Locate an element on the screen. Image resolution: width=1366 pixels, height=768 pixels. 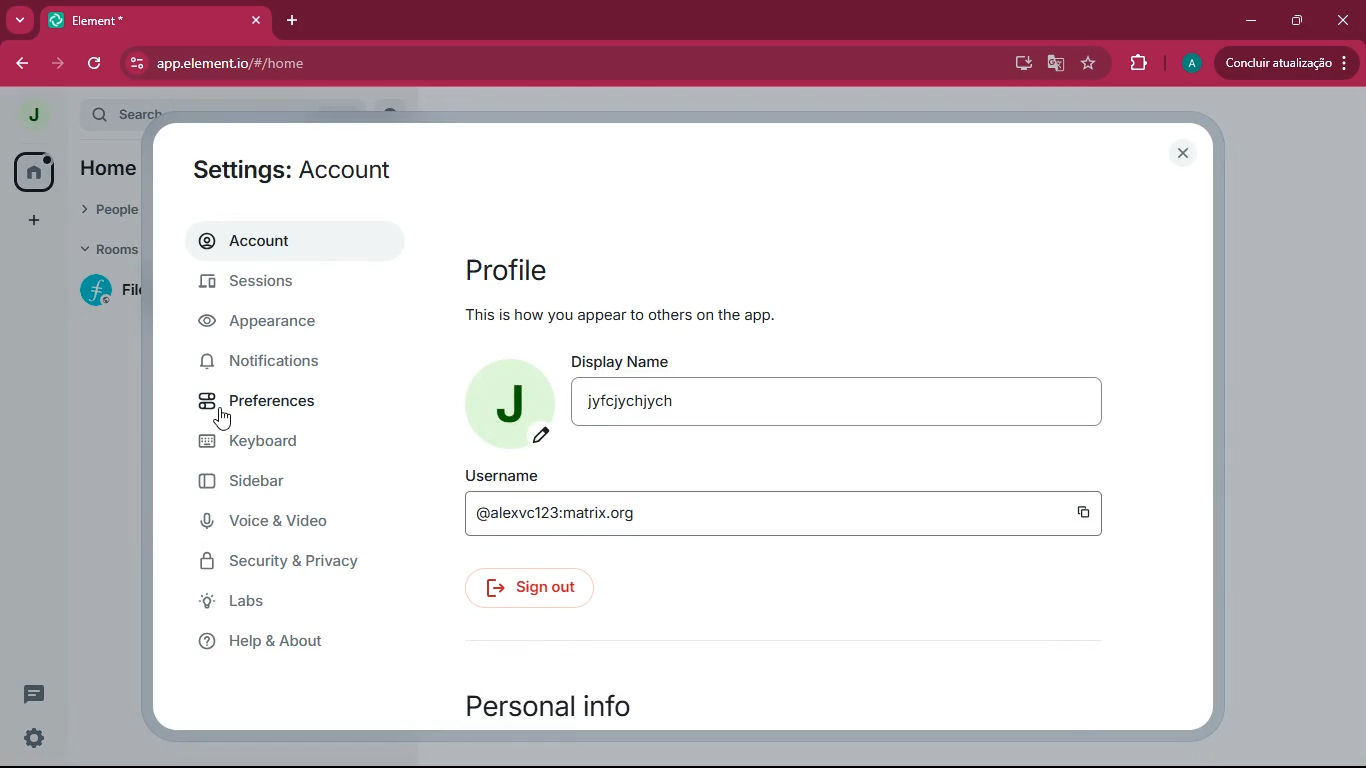
add profile picture is located at coordinates (507, 407).